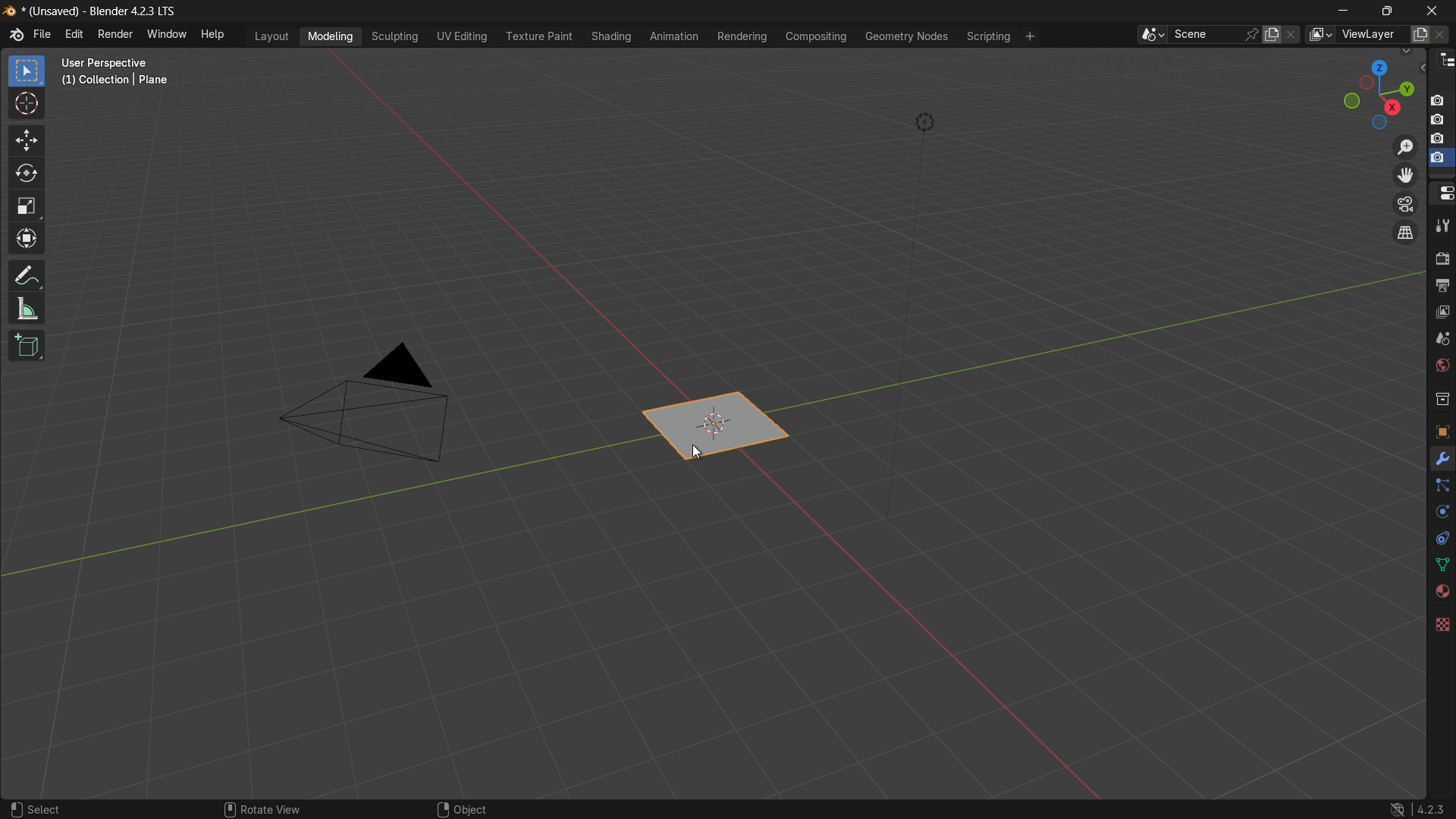  Describe the element at coordinates (1441, 591) in the screenshot. I see `material` at that location.